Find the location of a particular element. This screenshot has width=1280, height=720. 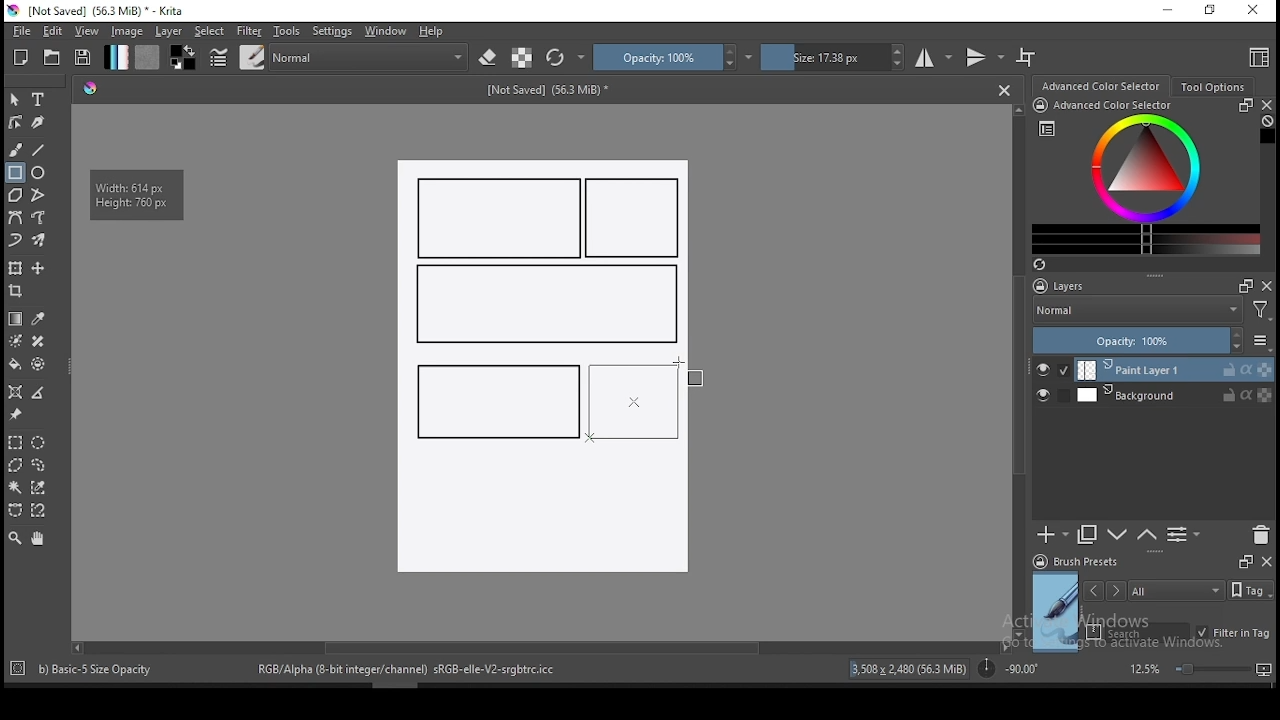

settings is located at coordinates (332, 31).